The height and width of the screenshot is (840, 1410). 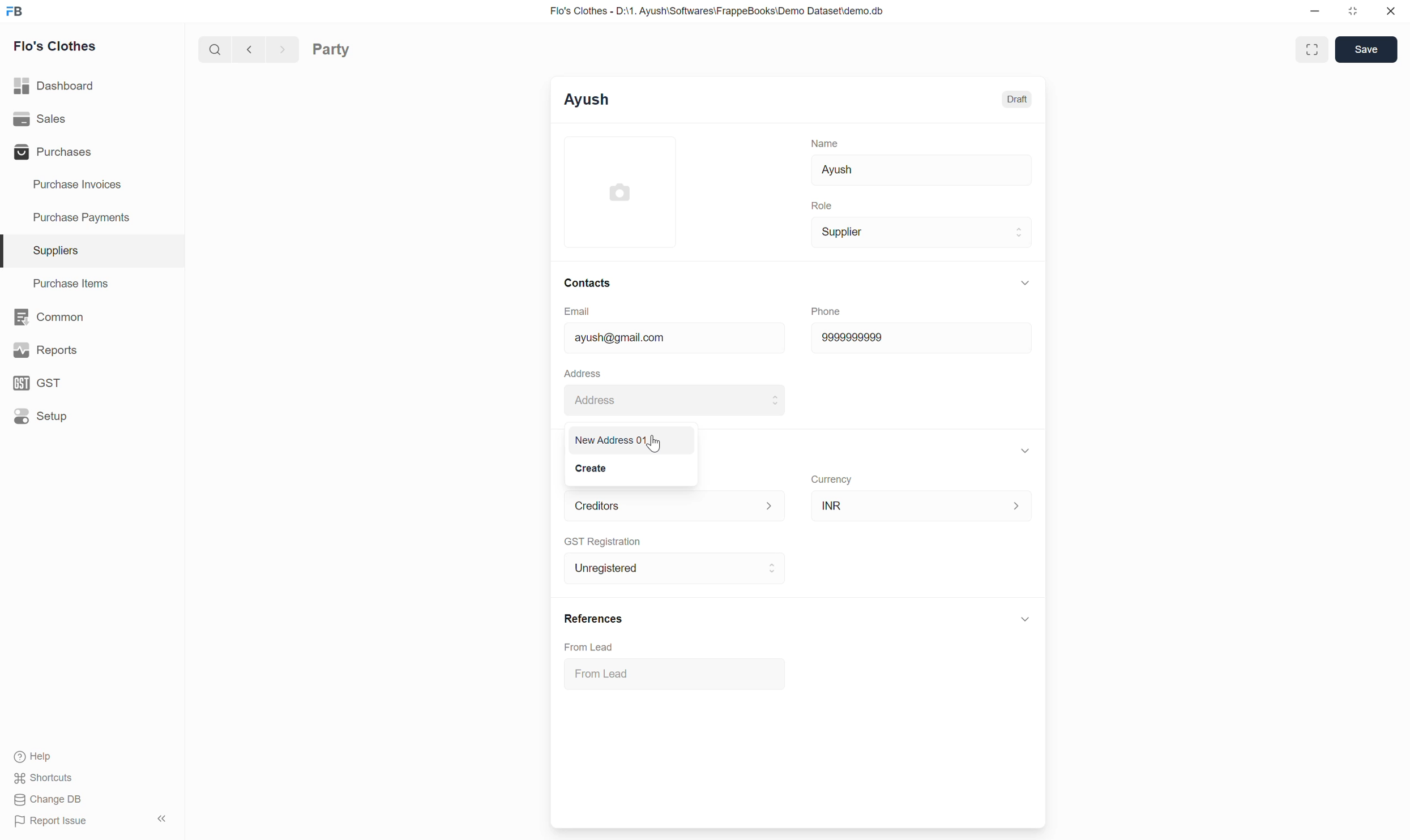 I want to click on Purchase Items, so click(x=92, y=284).